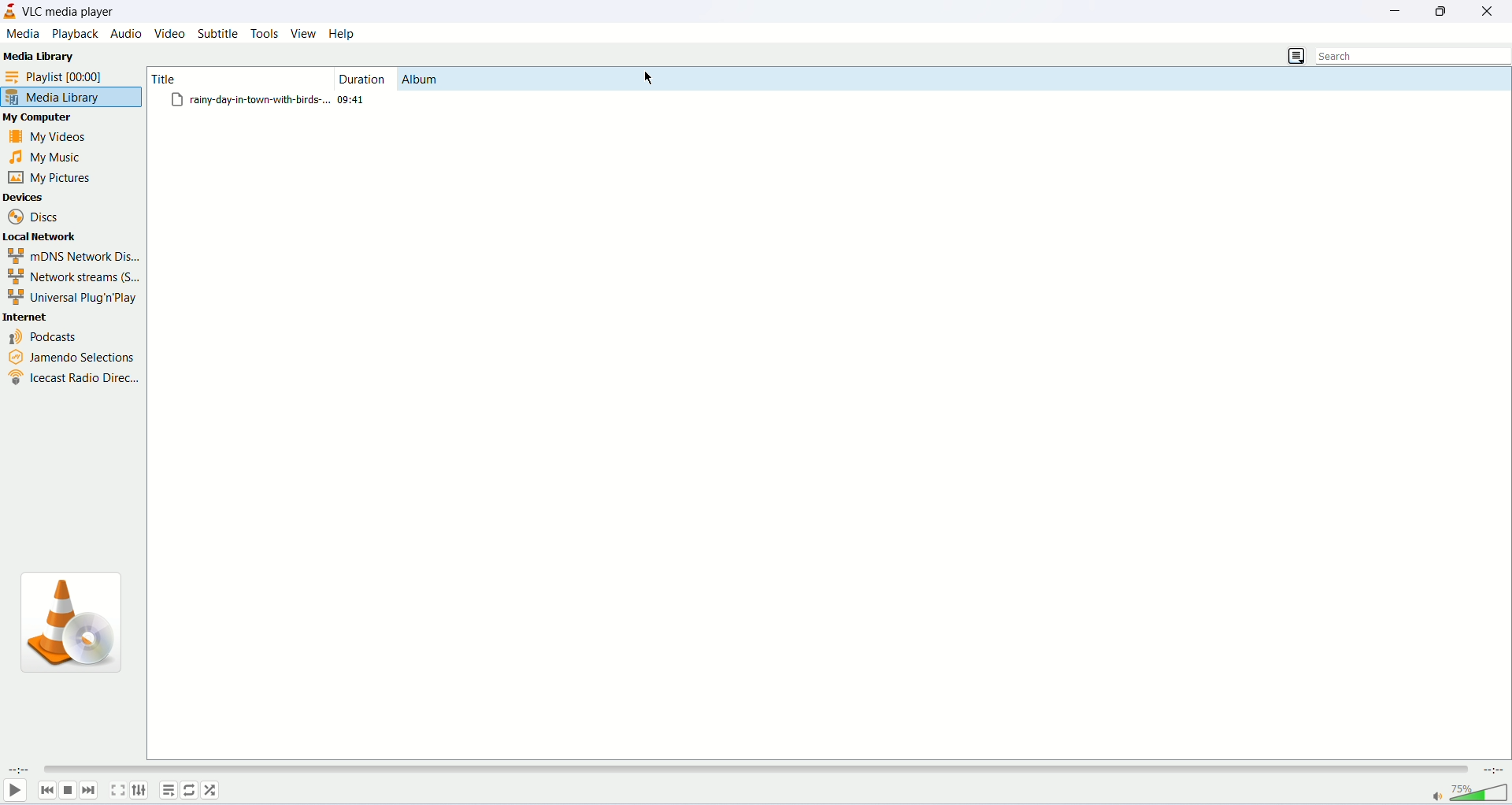 The height and width of the screenshot is (805, 1512). What do you see at coordinates (76, 33) in the screenshot?
I see `playback` at bounding box center [76, 33].